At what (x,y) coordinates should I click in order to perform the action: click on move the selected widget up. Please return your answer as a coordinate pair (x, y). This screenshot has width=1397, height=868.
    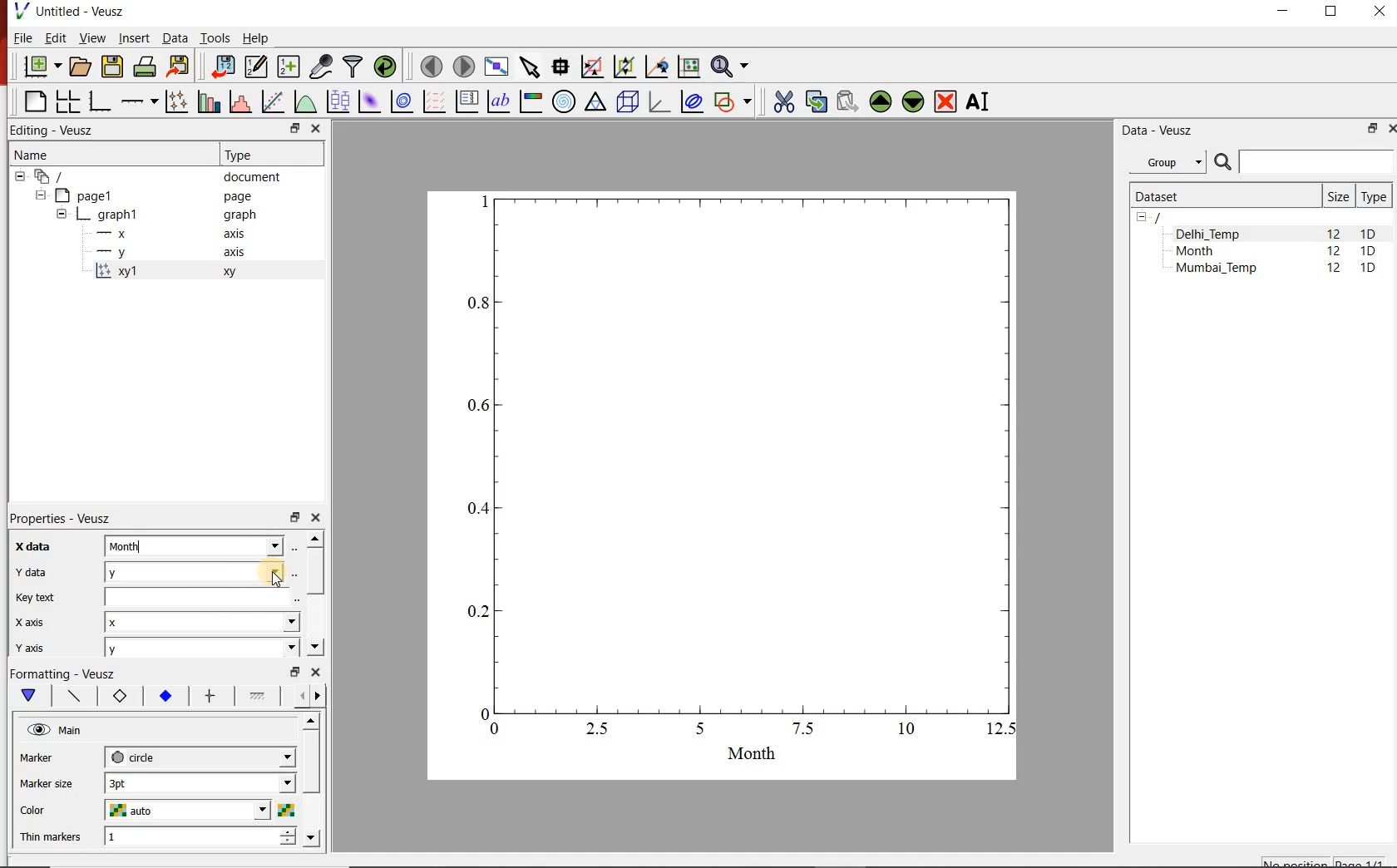
    Looking at the image, I should click on (880, 101).